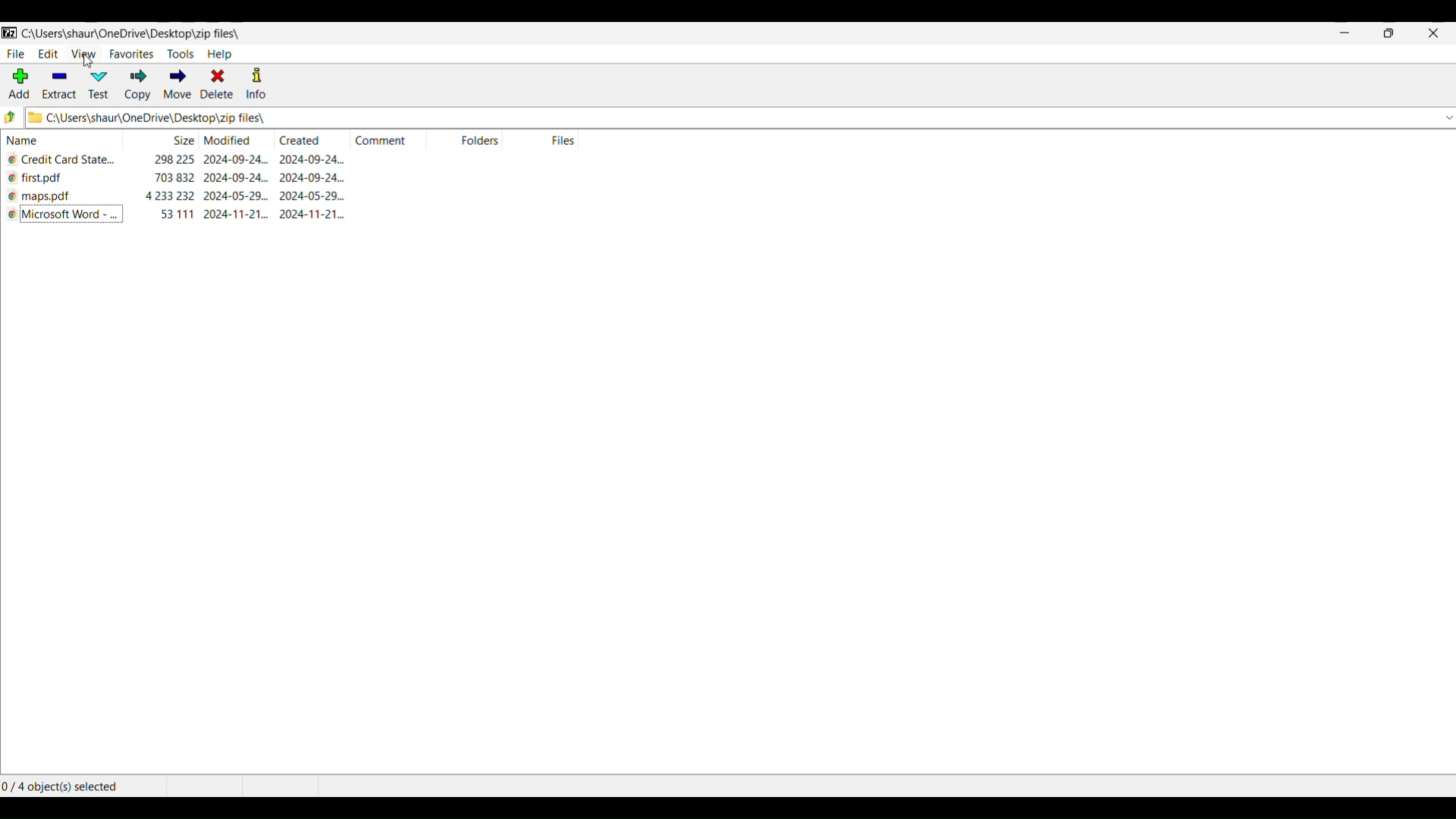 The height and width of the screenshot is (819, 1456). What do you see at coordinates (74, 159) in the screenshot?
I see `file name` at bounding box center [74, 159].